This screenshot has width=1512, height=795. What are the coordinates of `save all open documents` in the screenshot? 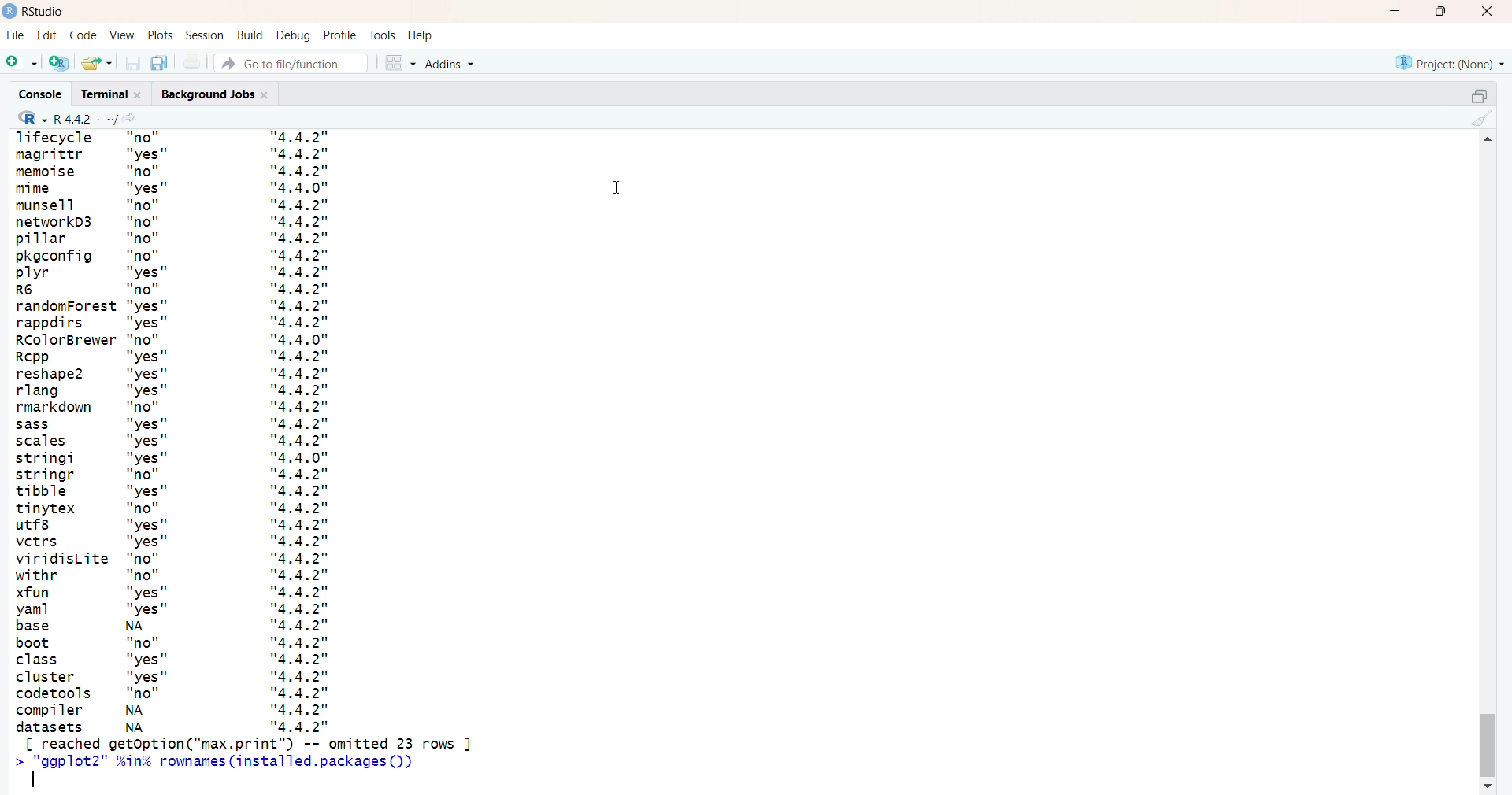 It's located at (159, 64).